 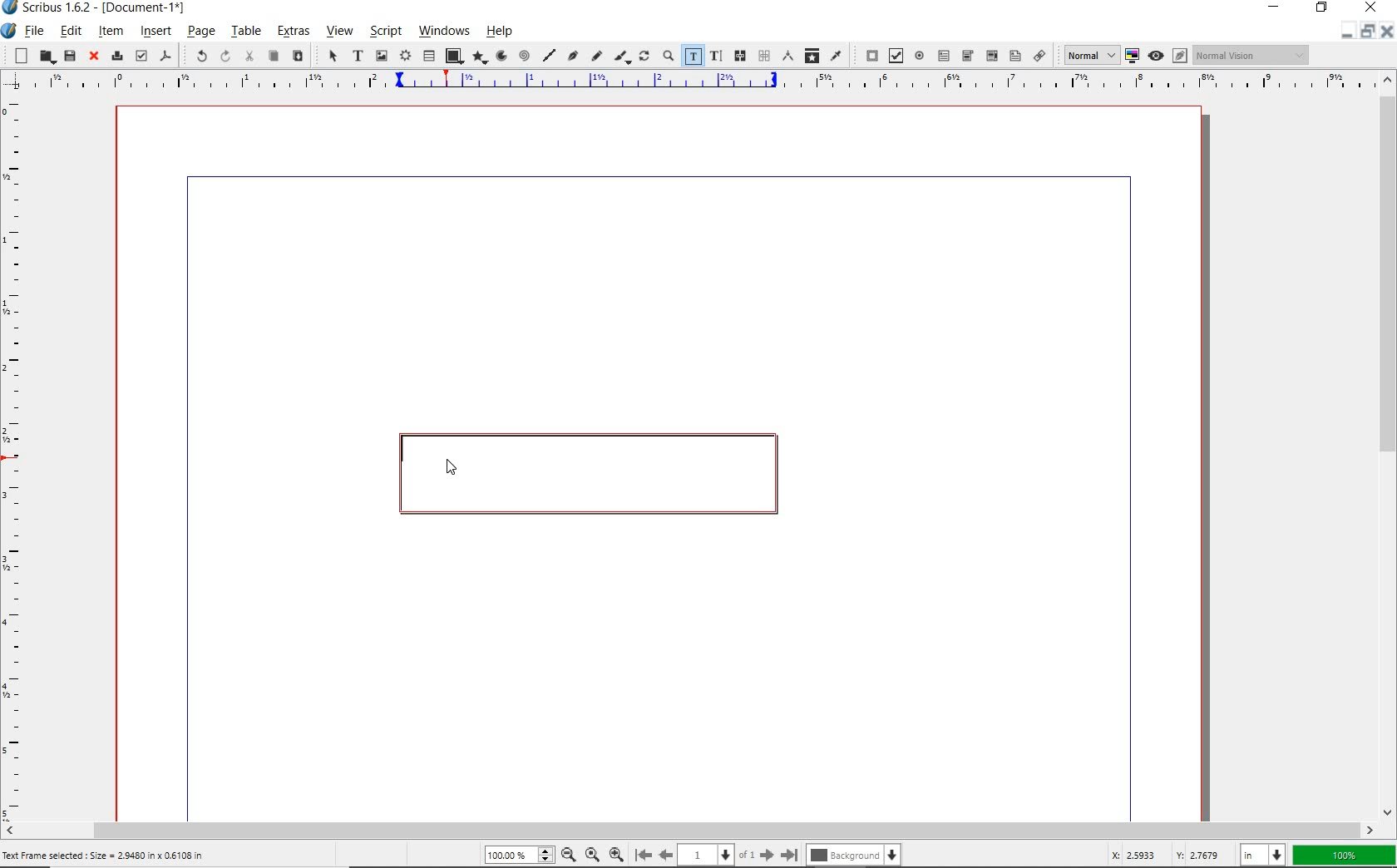 What do you see at coordinates (787, 855) in the screenshot?
I see `Last page` at bounding box center [787, 855].